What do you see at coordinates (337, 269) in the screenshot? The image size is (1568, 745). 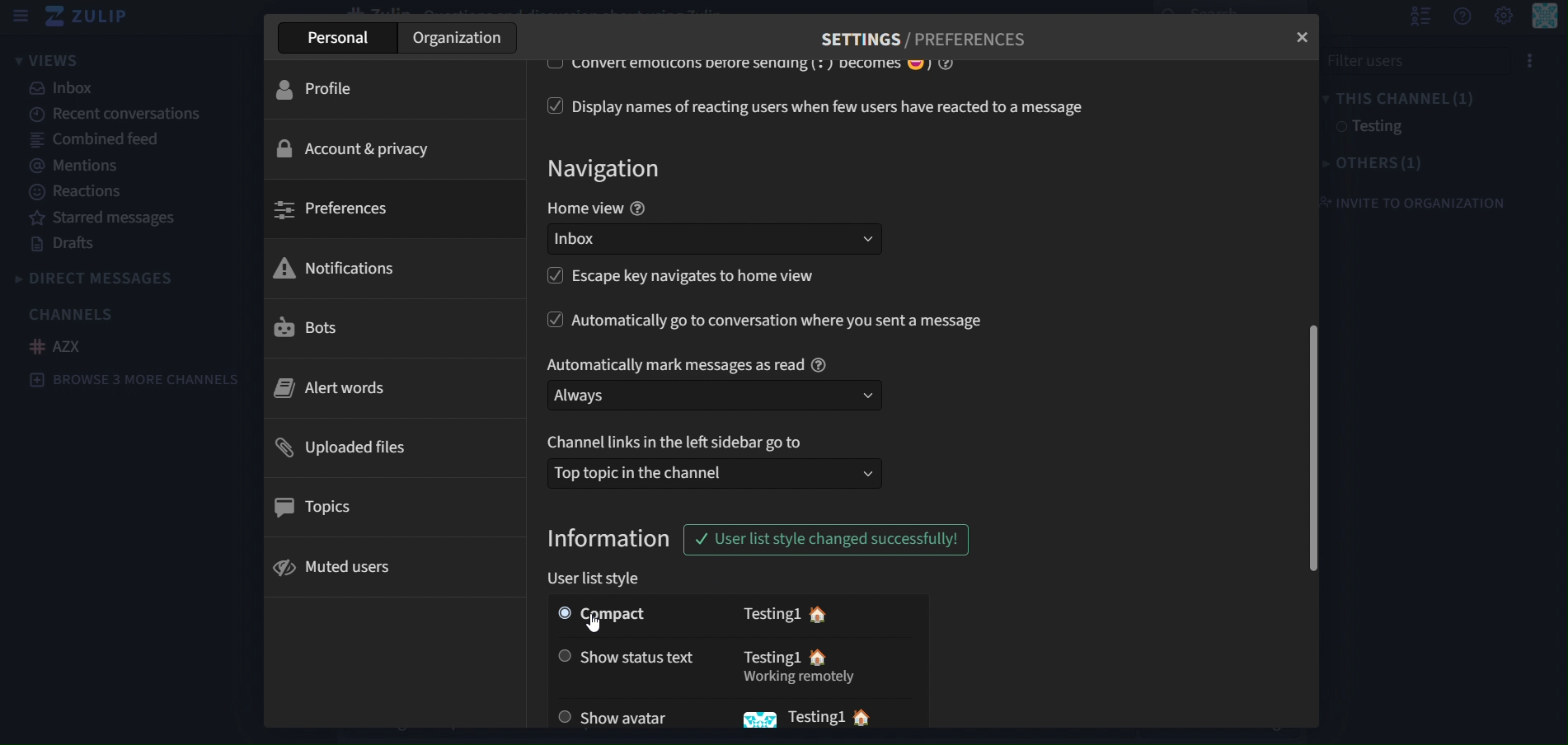 I see `notifications` at bounding box center [337, 269].